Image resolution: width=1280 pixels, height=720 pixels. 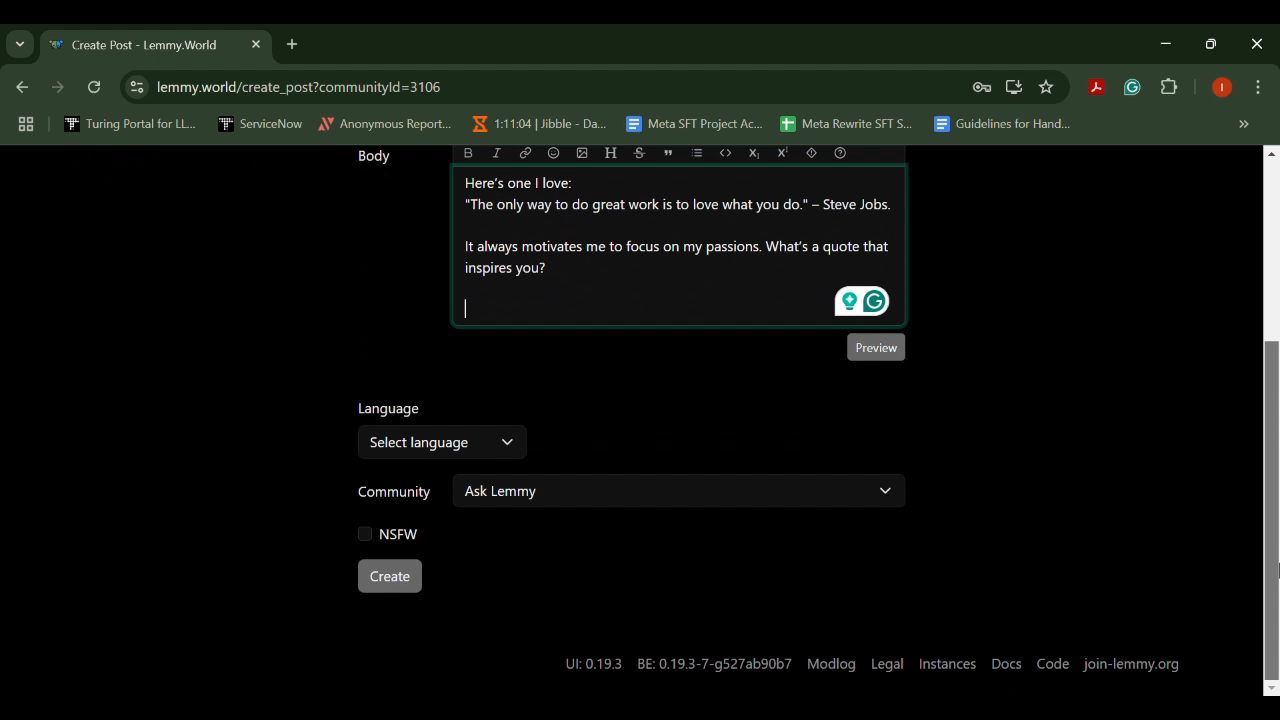 I want to click on lemmy.world/create_post?communityld=3106, so click(x=295, y=85).